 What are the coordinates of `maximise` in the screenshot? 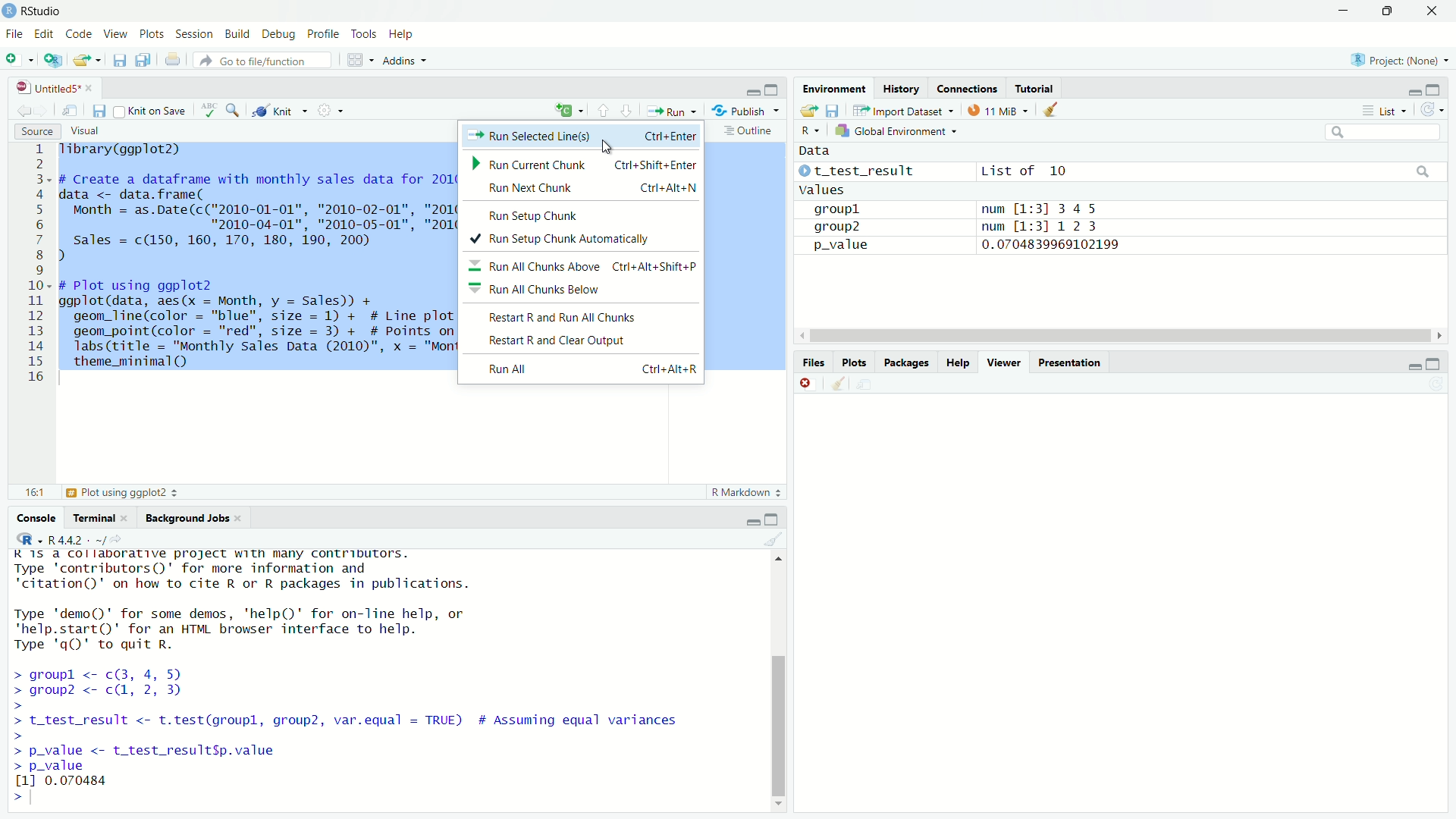 It's located at (772, 519).